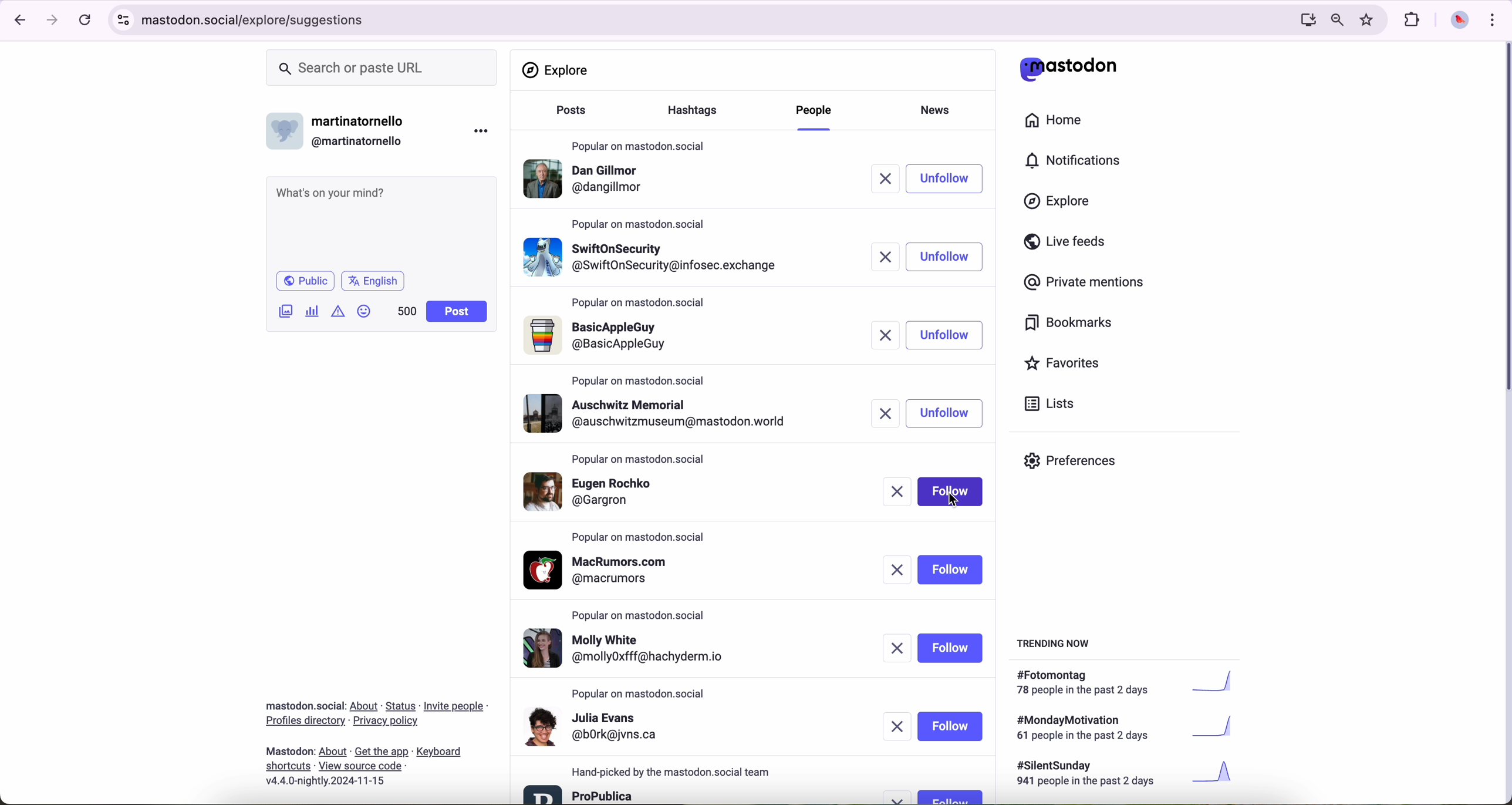  Describe the element at coordinates (953, 178) in the screenshot. I see `click on follow button` at that location.